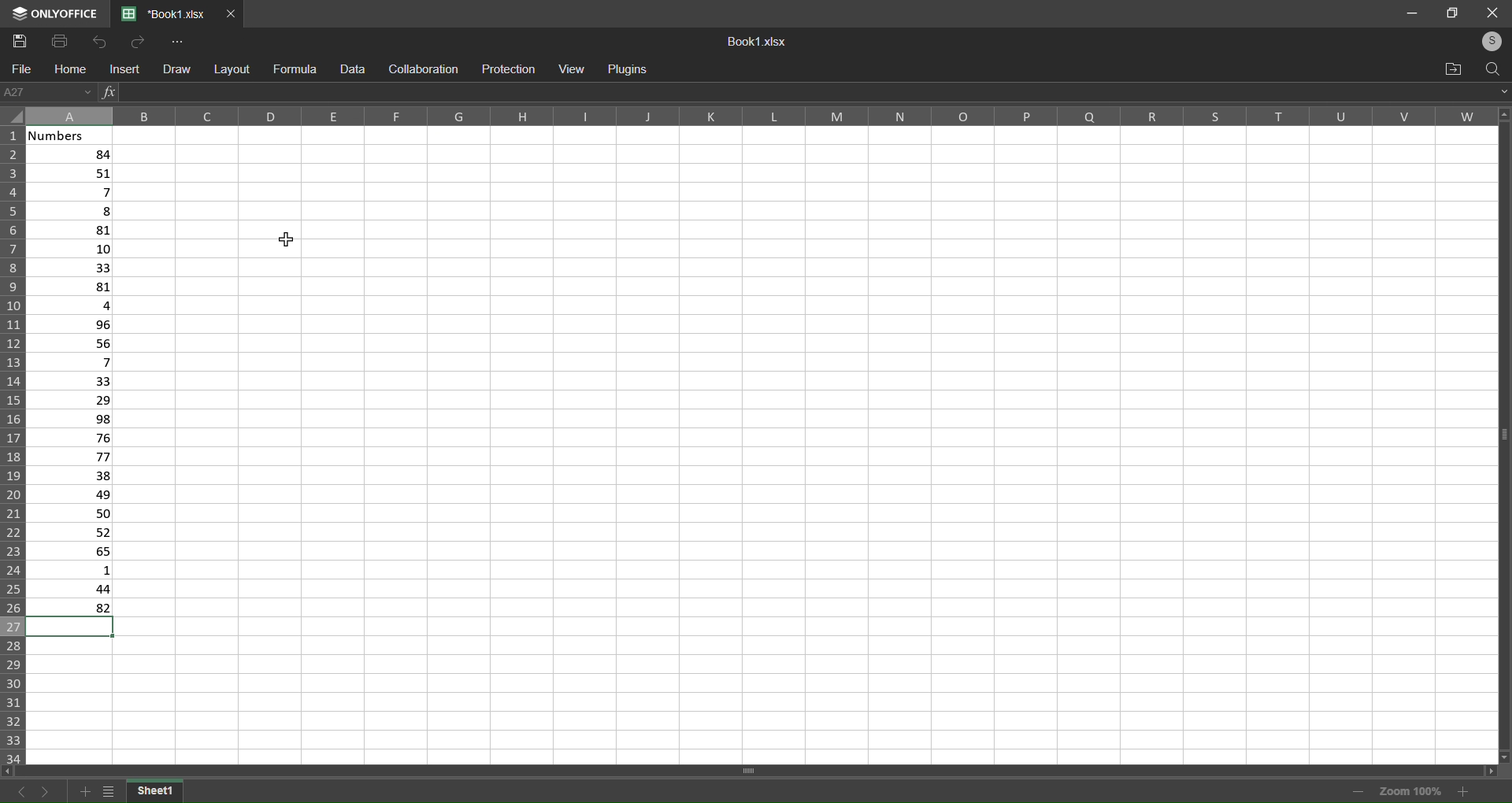  I want to click on home, so click(69, 68).